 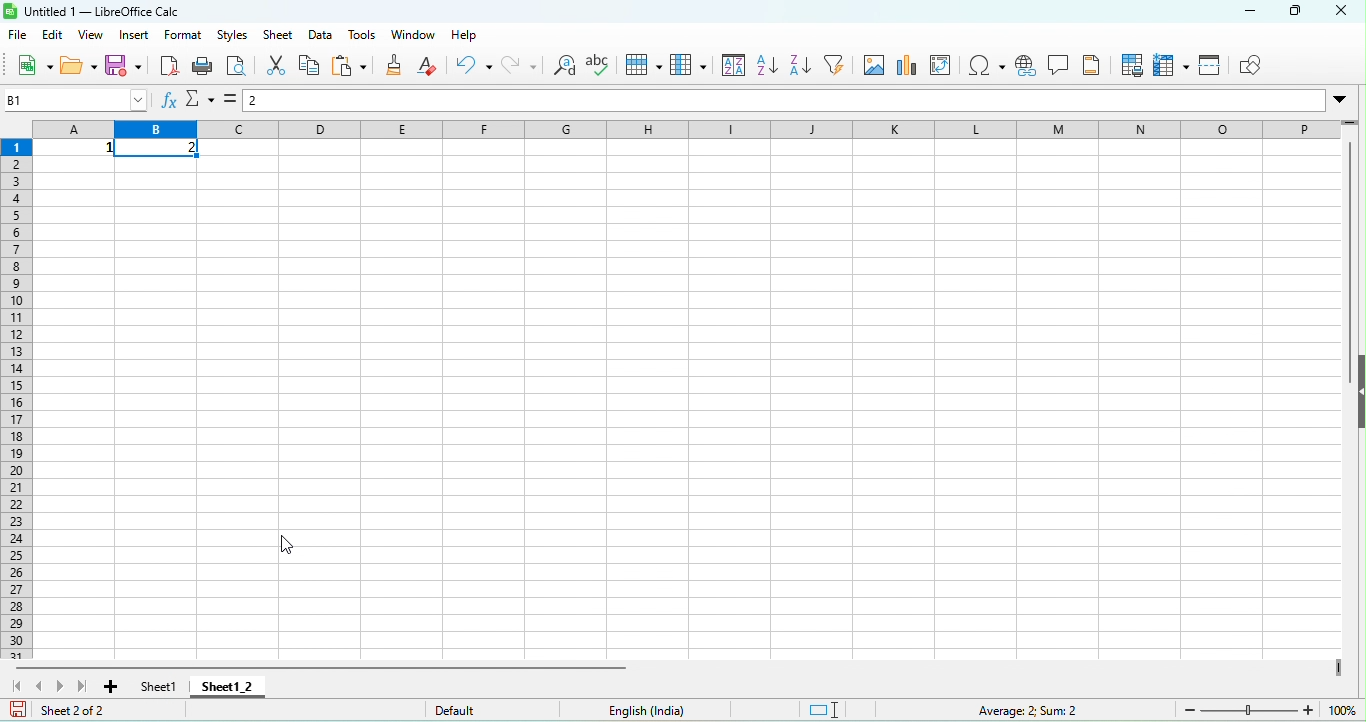 I want to click on minimize, so click(x=1232, y=11).